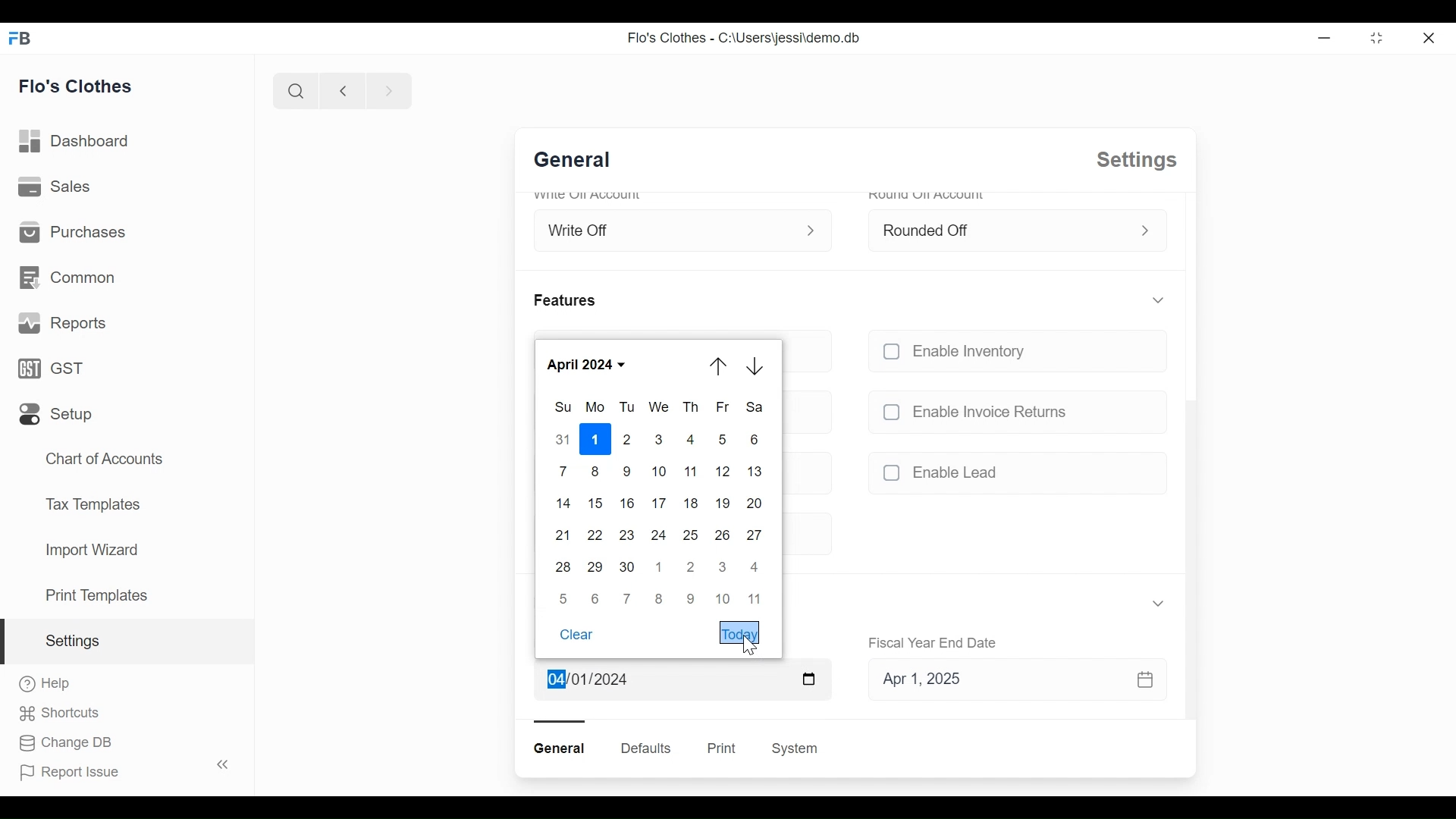 The height and width of the screenshot is (819, 1456). Describe the element at coordinates (564, 406) in the screenshot. I see `Sun` at that location.